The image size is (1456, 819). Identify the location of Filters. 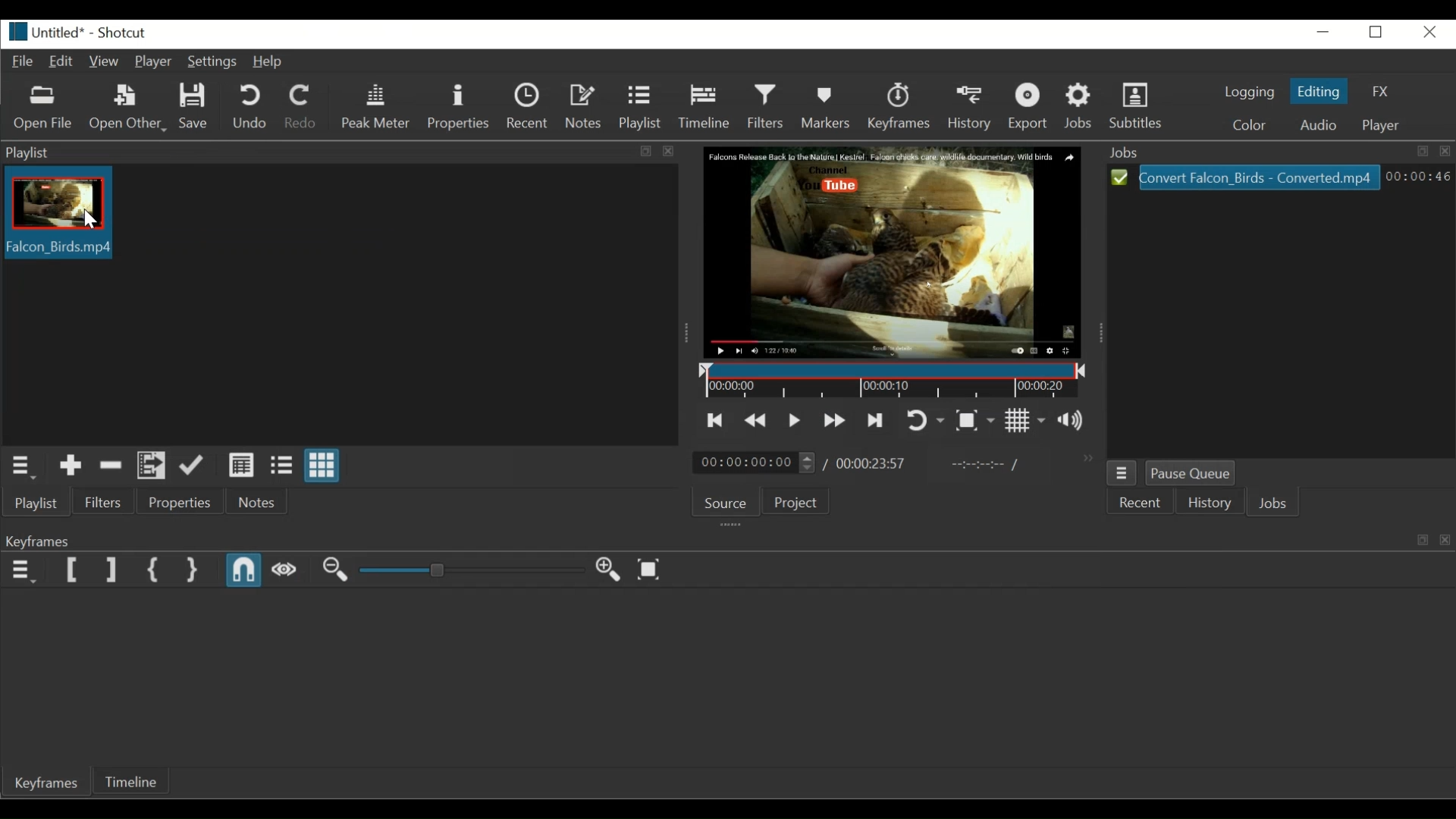
(768, 106).